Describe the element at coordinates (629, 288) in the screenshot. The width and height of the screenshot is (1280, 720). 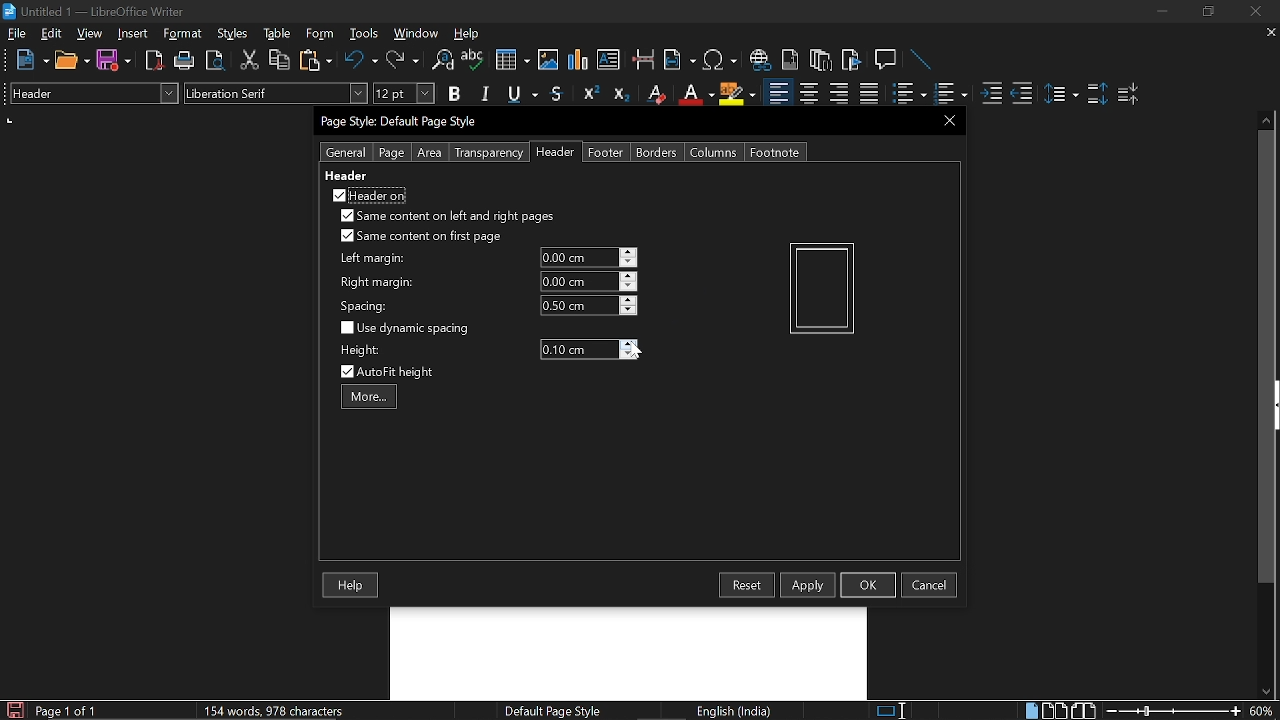
I see `decrease right margin` at that location.